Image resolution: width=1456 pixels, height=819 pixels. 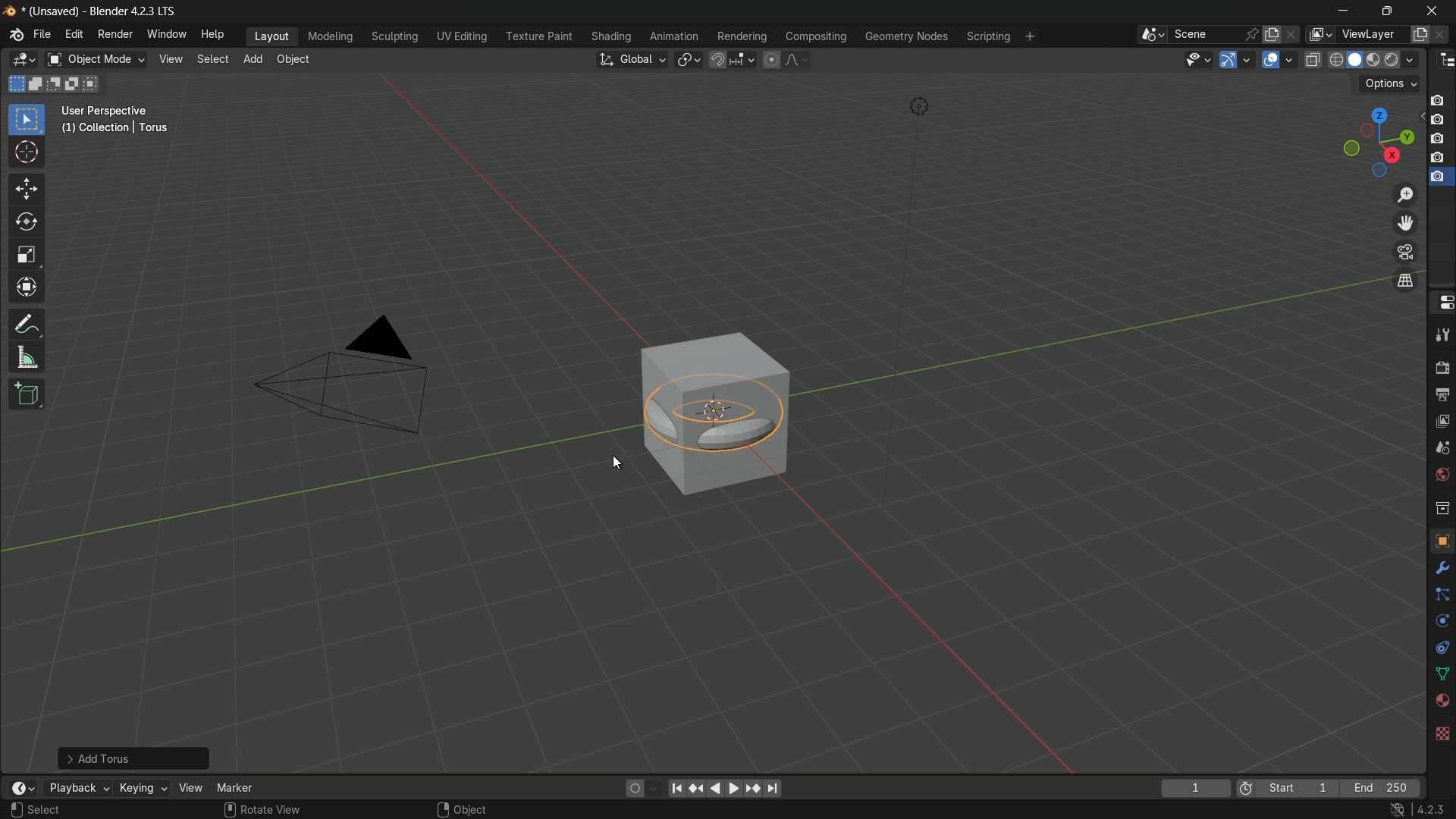 I want to click on transformation, so click(x=28, y=289).